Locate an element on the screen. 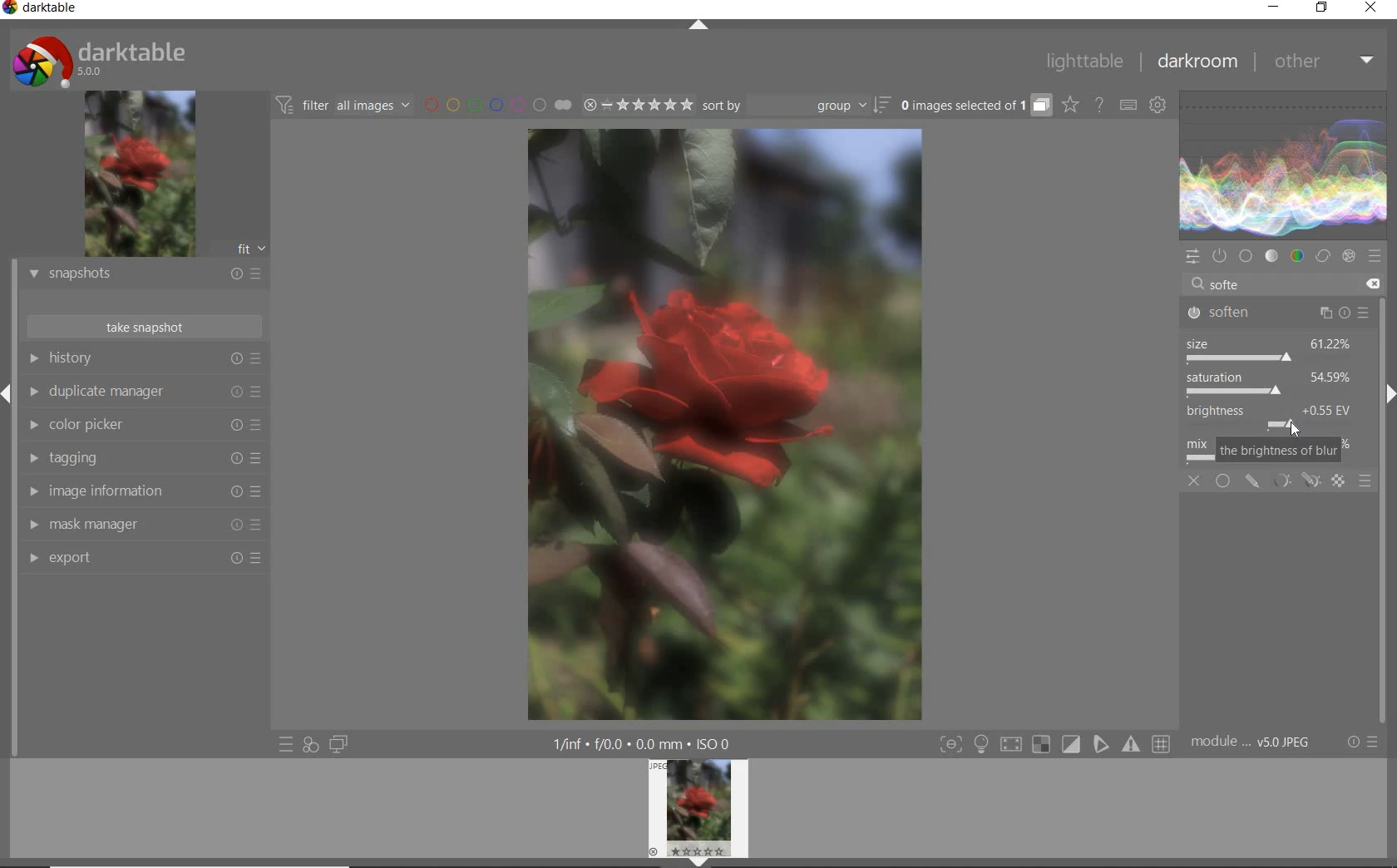 The image size is (1397, 868). waveform is located at coordinates (1283, 163).